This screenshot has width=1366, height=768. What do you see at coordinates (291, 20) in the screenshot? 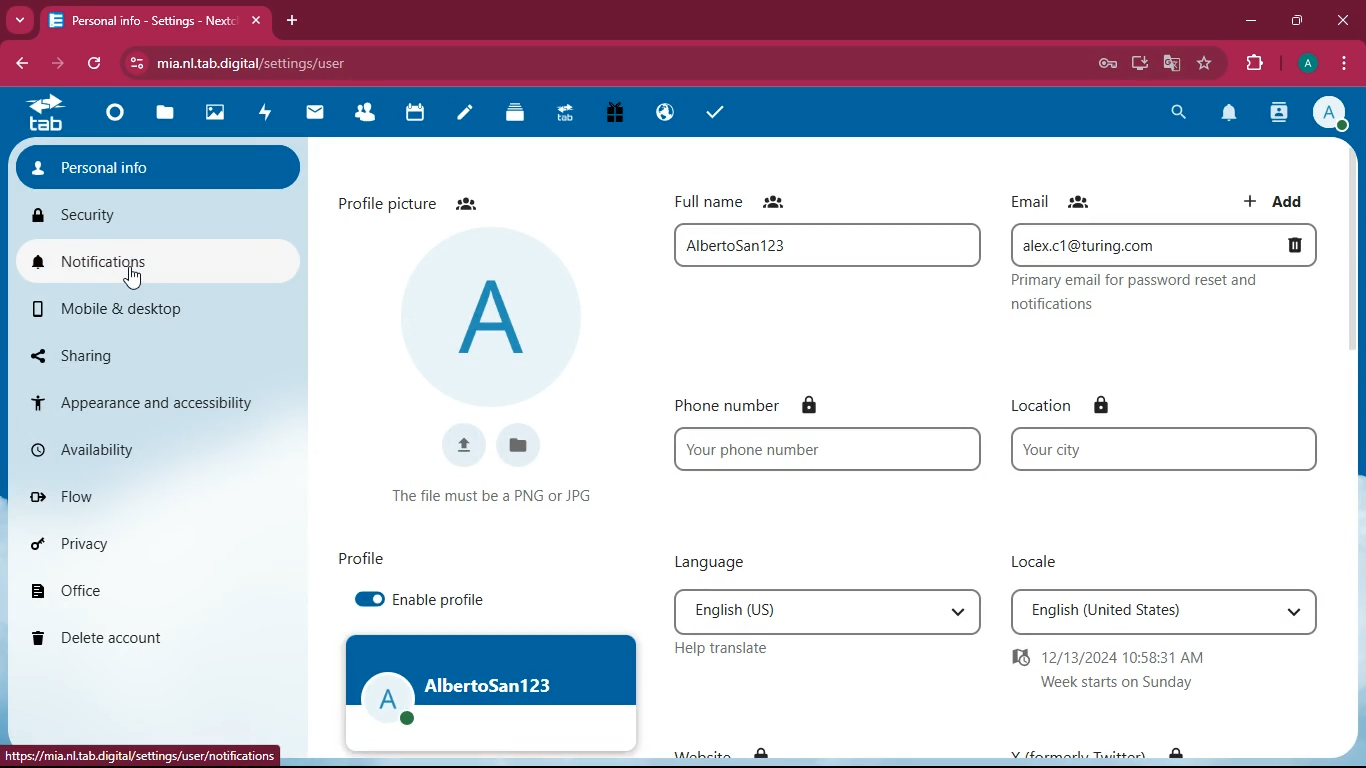
I see `add tab` at bounding box center [291, 20].